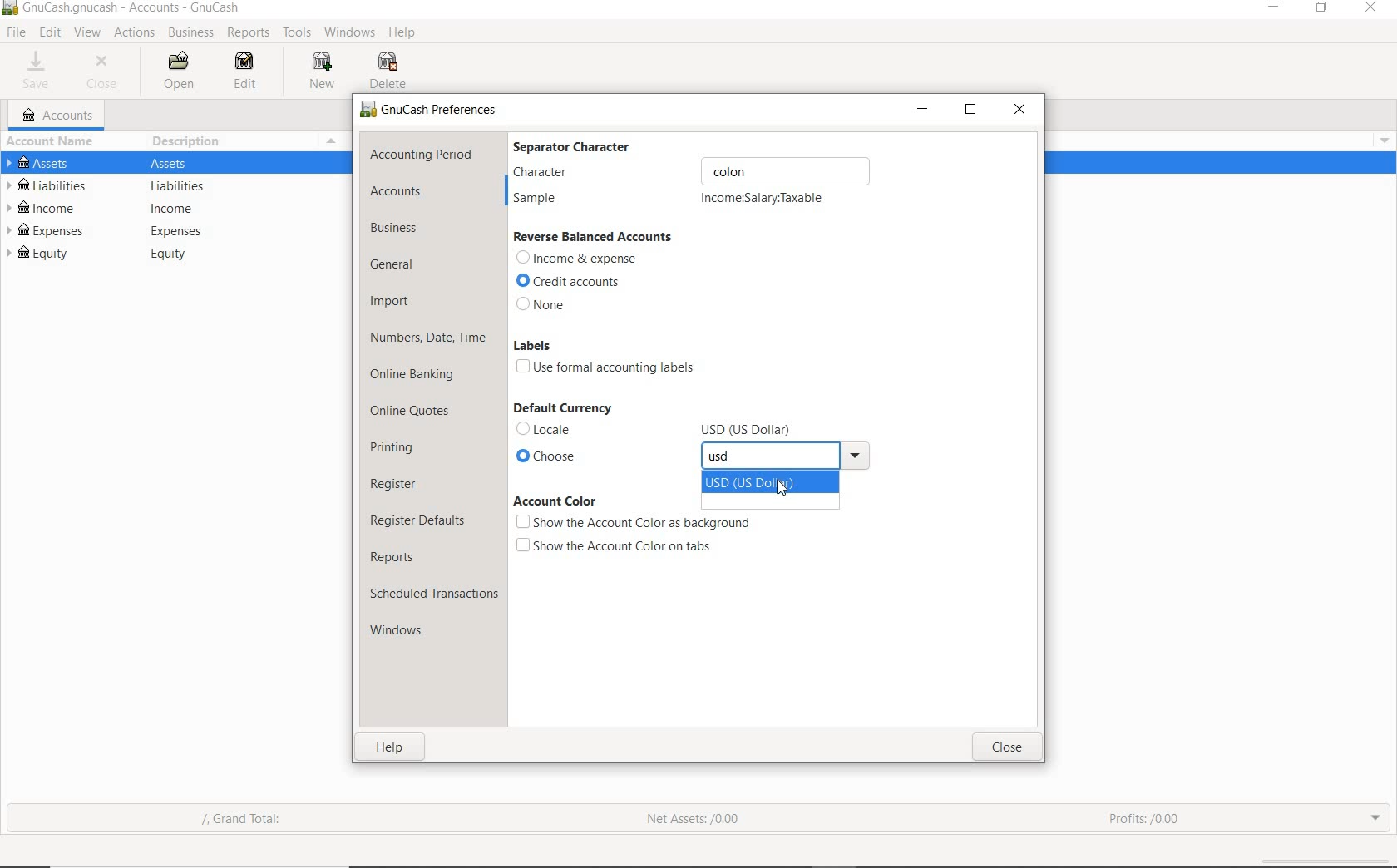 The width and height of the screenshot is (1397, 868). I want to click on EXPENSES, so click(53, 232).